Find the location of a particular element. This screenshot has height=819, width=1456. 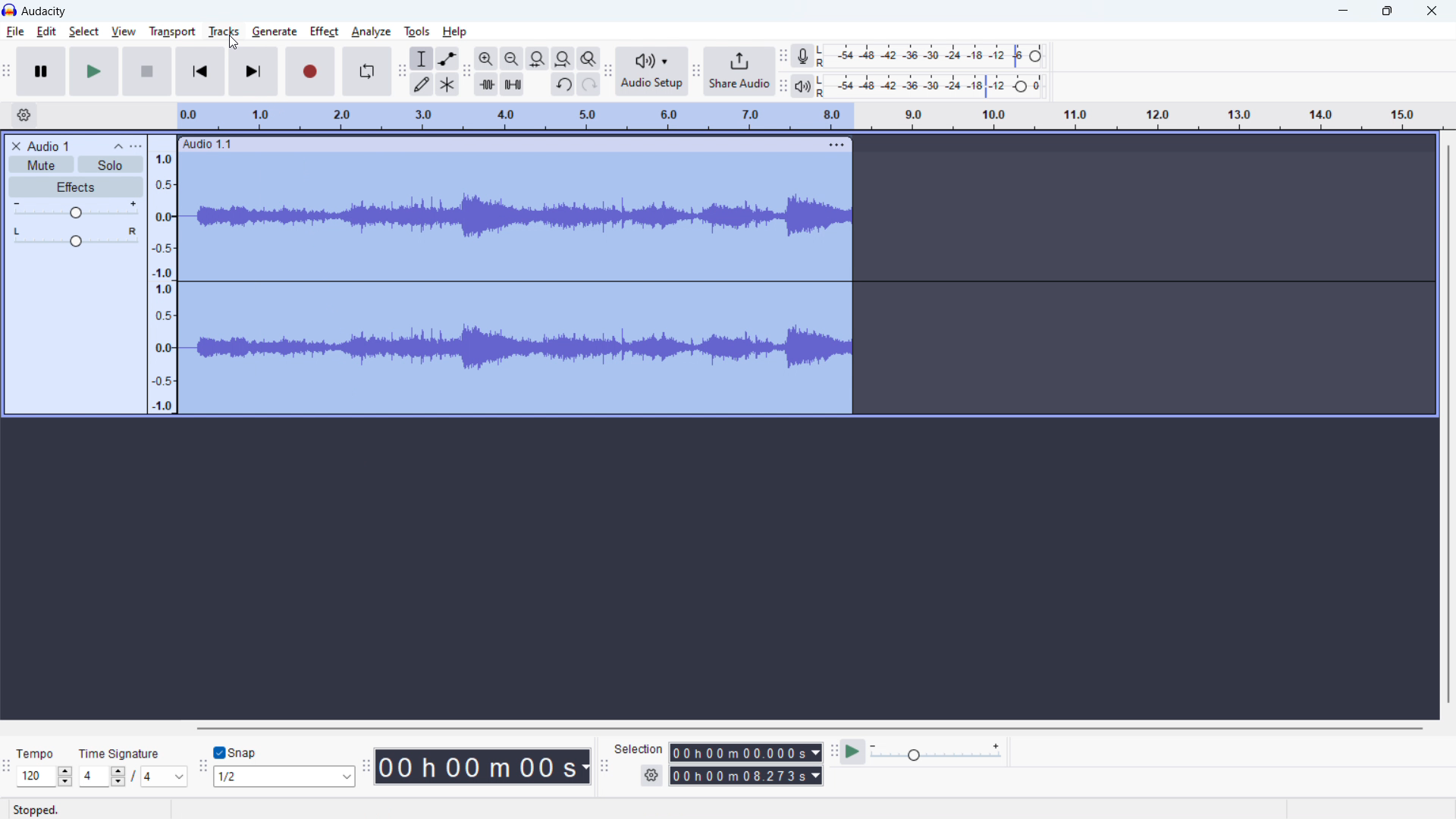

skip to last is located at coordinates (255, 71).